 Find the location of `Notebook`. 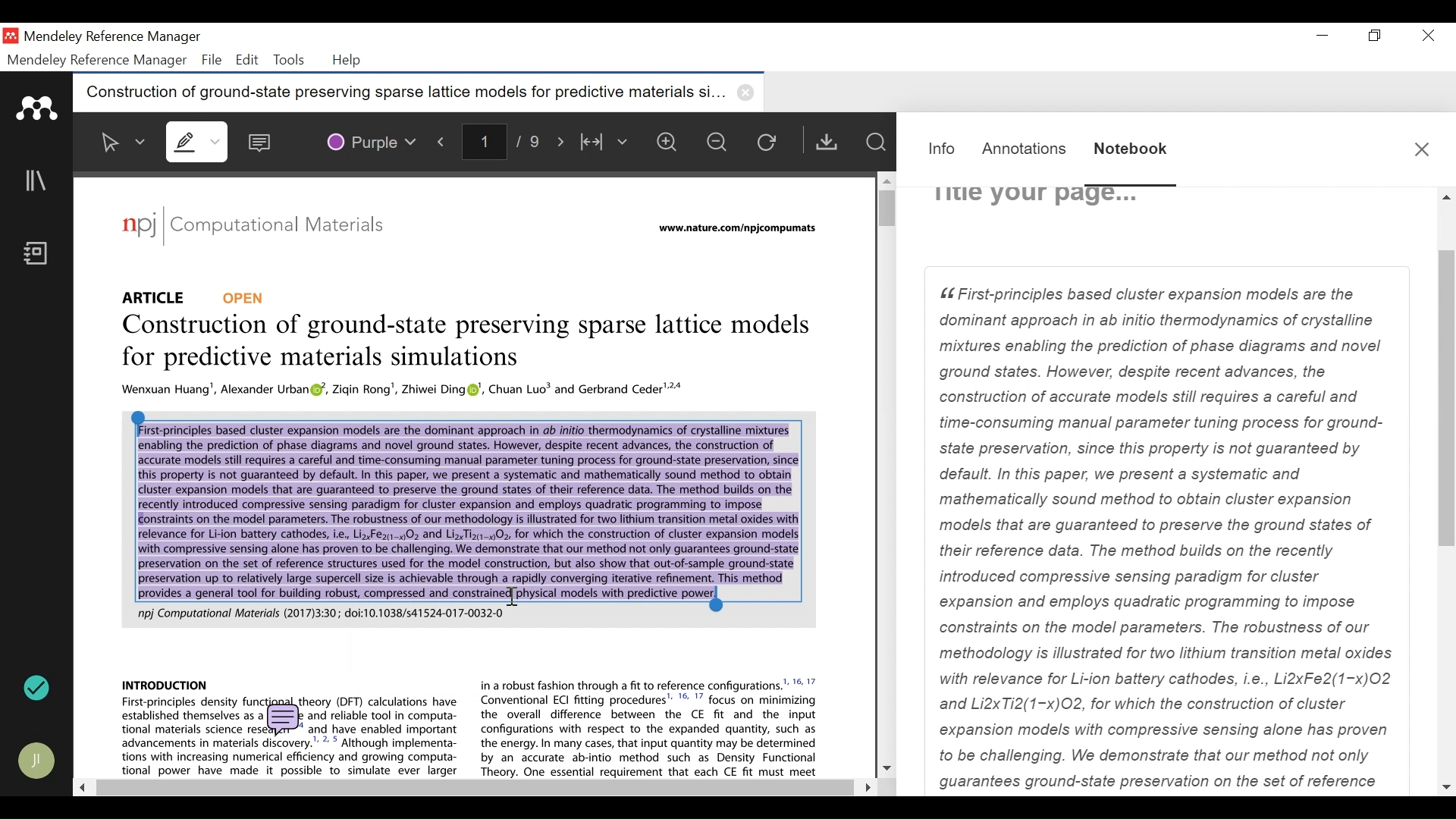

Notebook is located at coordinates (40, 255).